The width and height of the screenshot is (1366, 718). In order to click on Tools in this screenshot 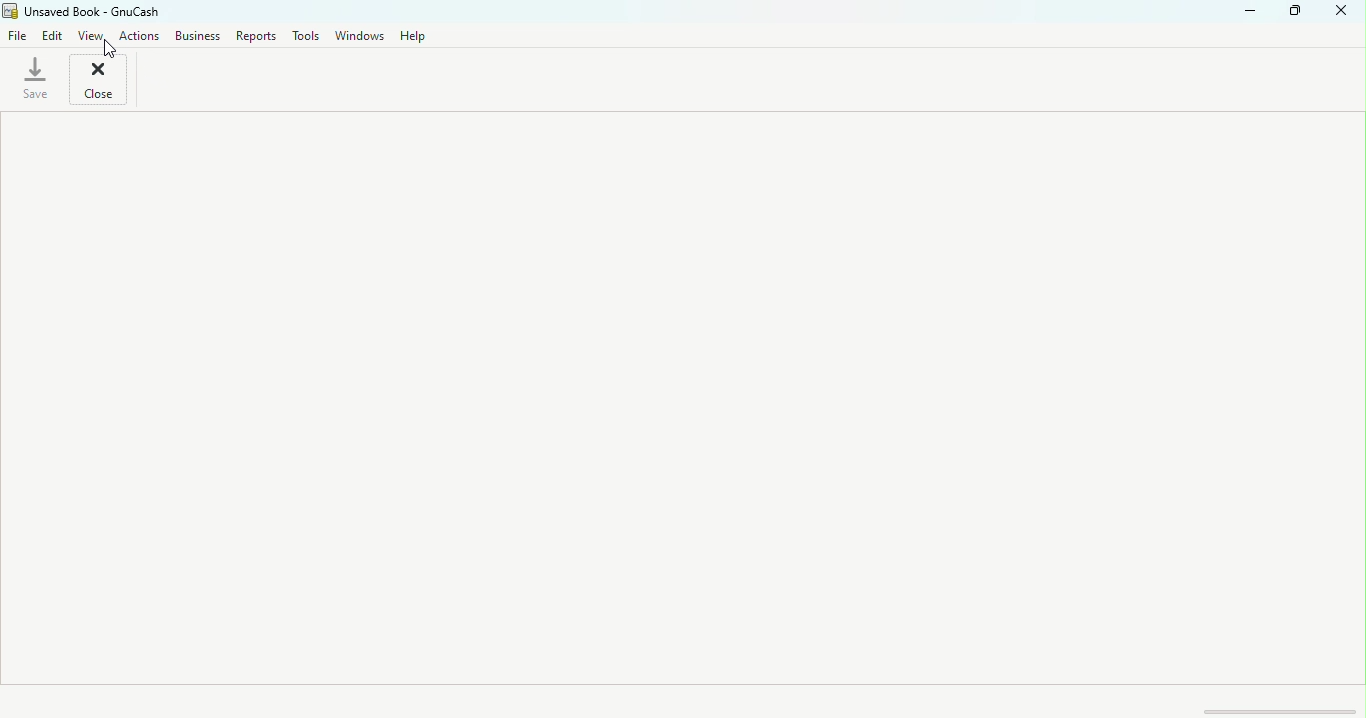, I will do `click(301, 36)`.